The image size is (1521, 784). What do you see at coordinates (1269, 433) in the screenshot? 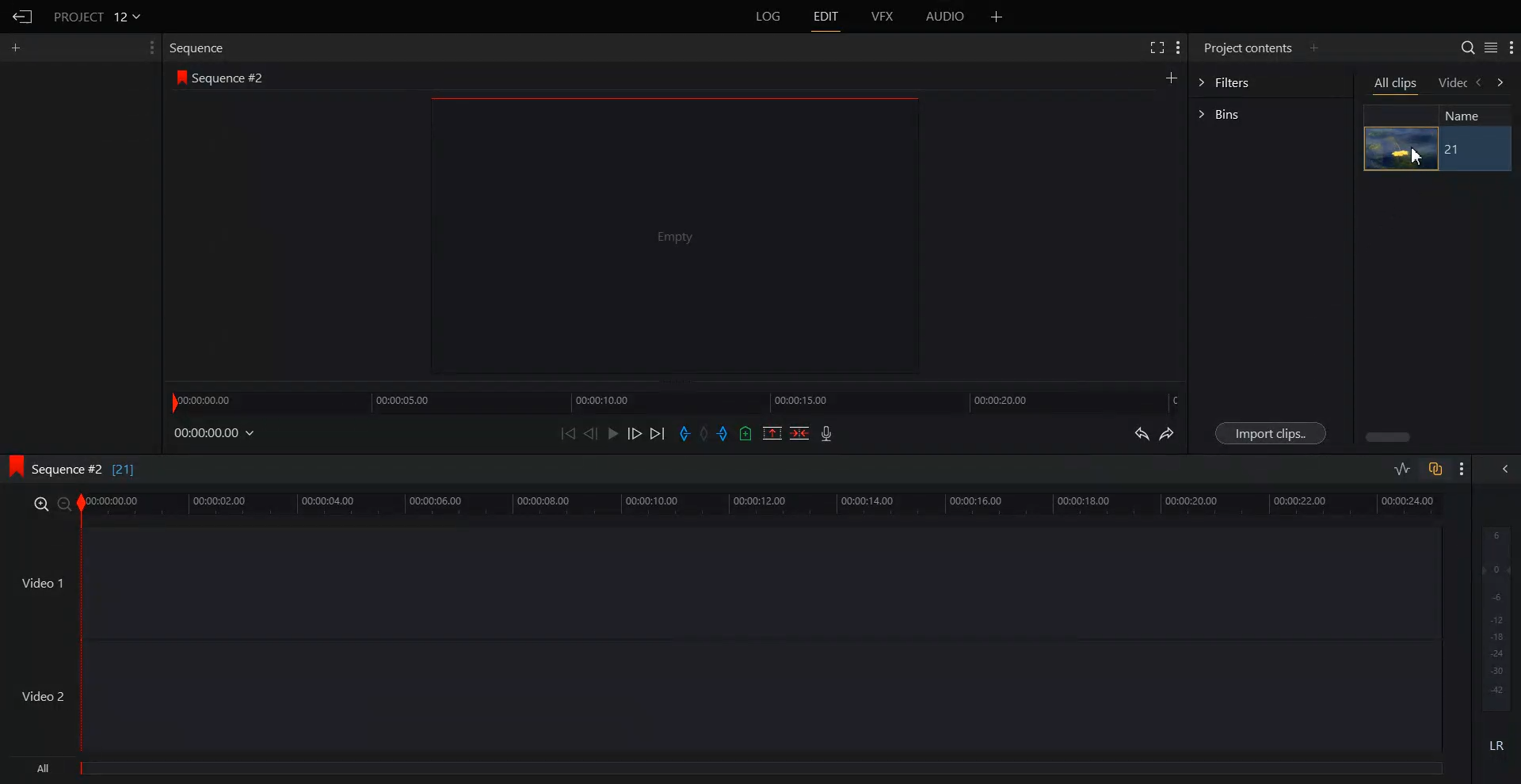
I see `Import clips` at bounding box center [1269, 433].